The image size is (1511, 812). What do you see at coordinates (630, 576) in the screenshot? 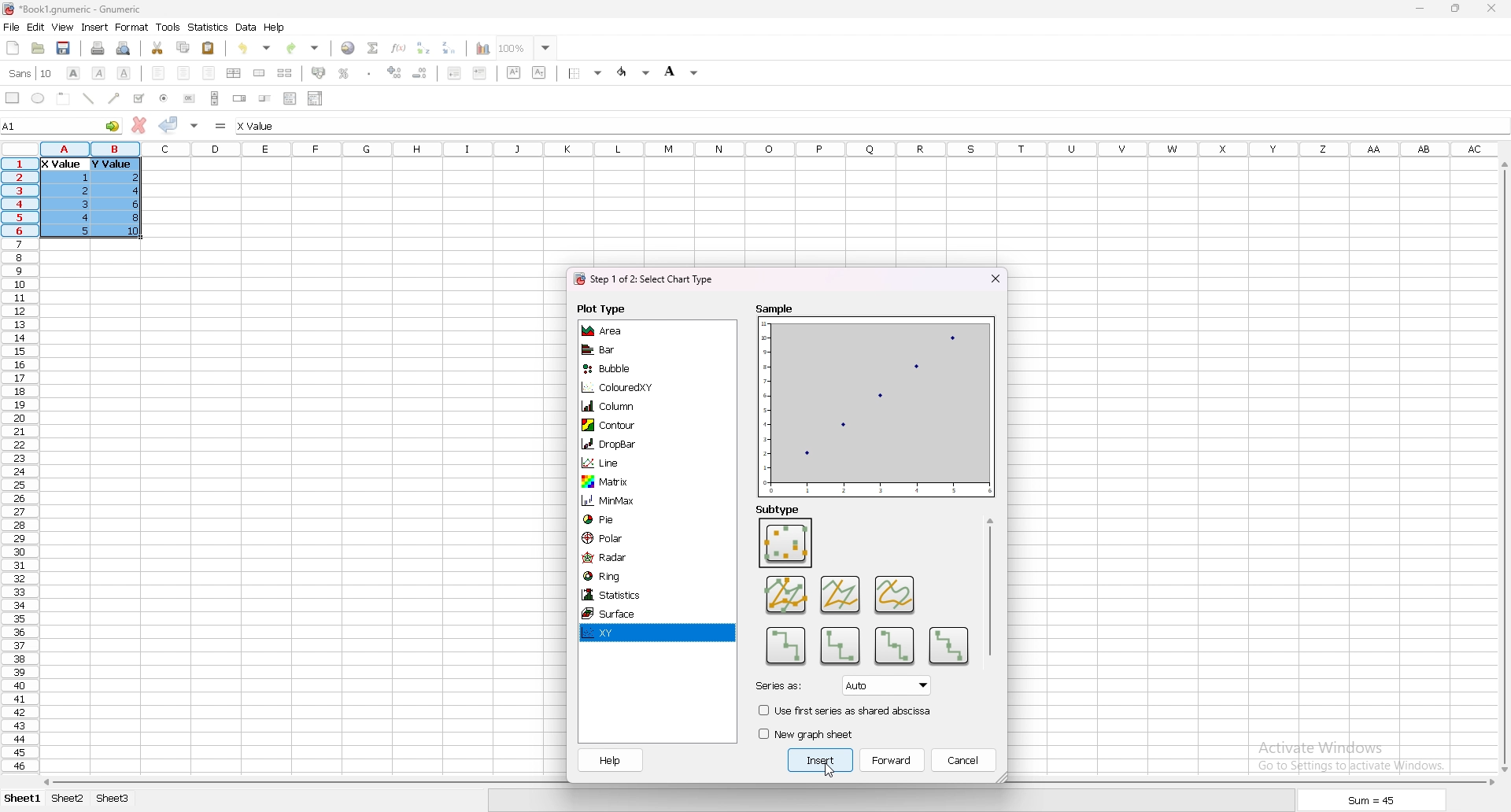
I see `ring` at bounding box center [630, 576].